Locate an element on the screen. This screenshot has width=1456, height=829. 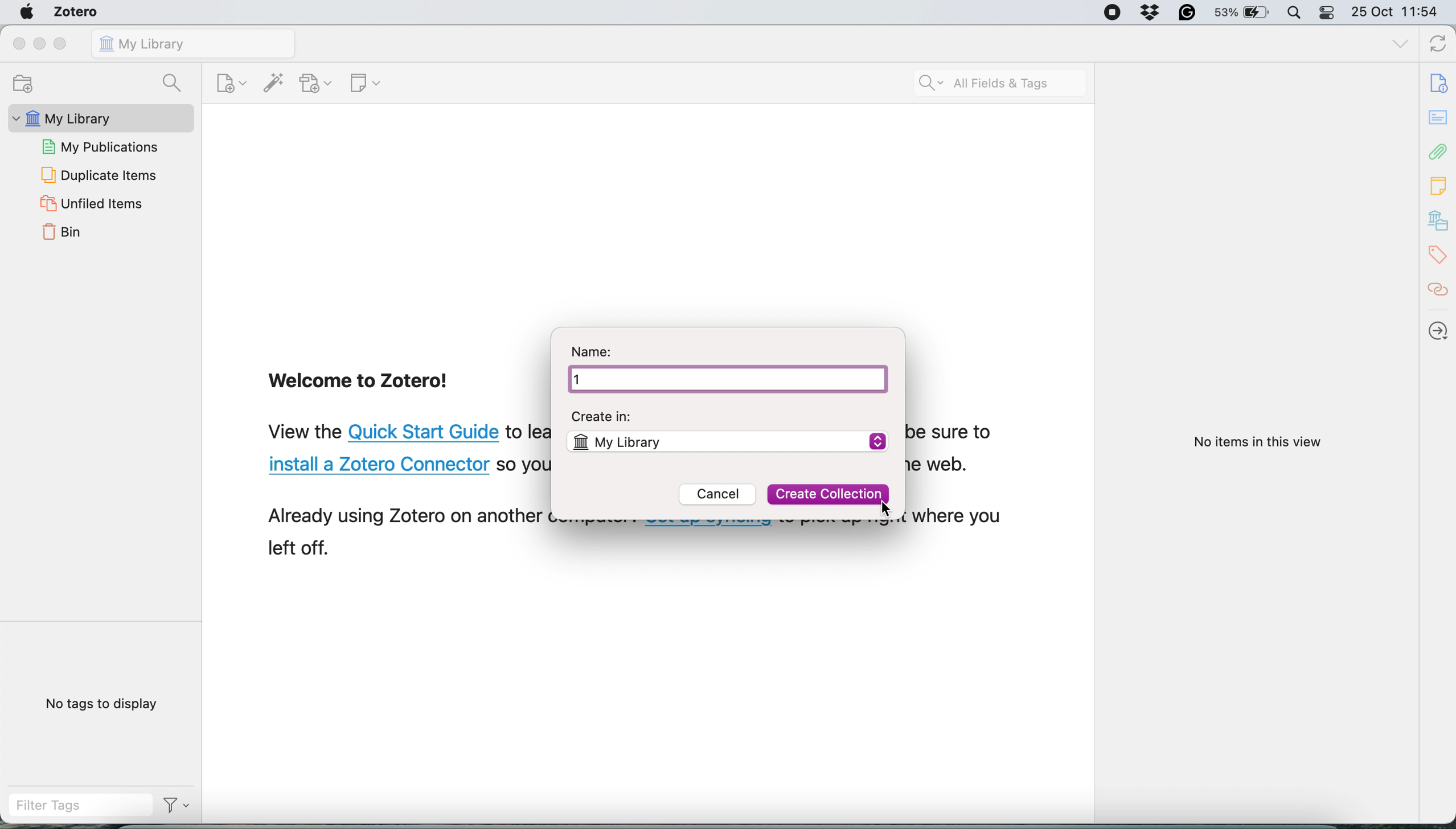
zotero is located at coordinates (75, 11).